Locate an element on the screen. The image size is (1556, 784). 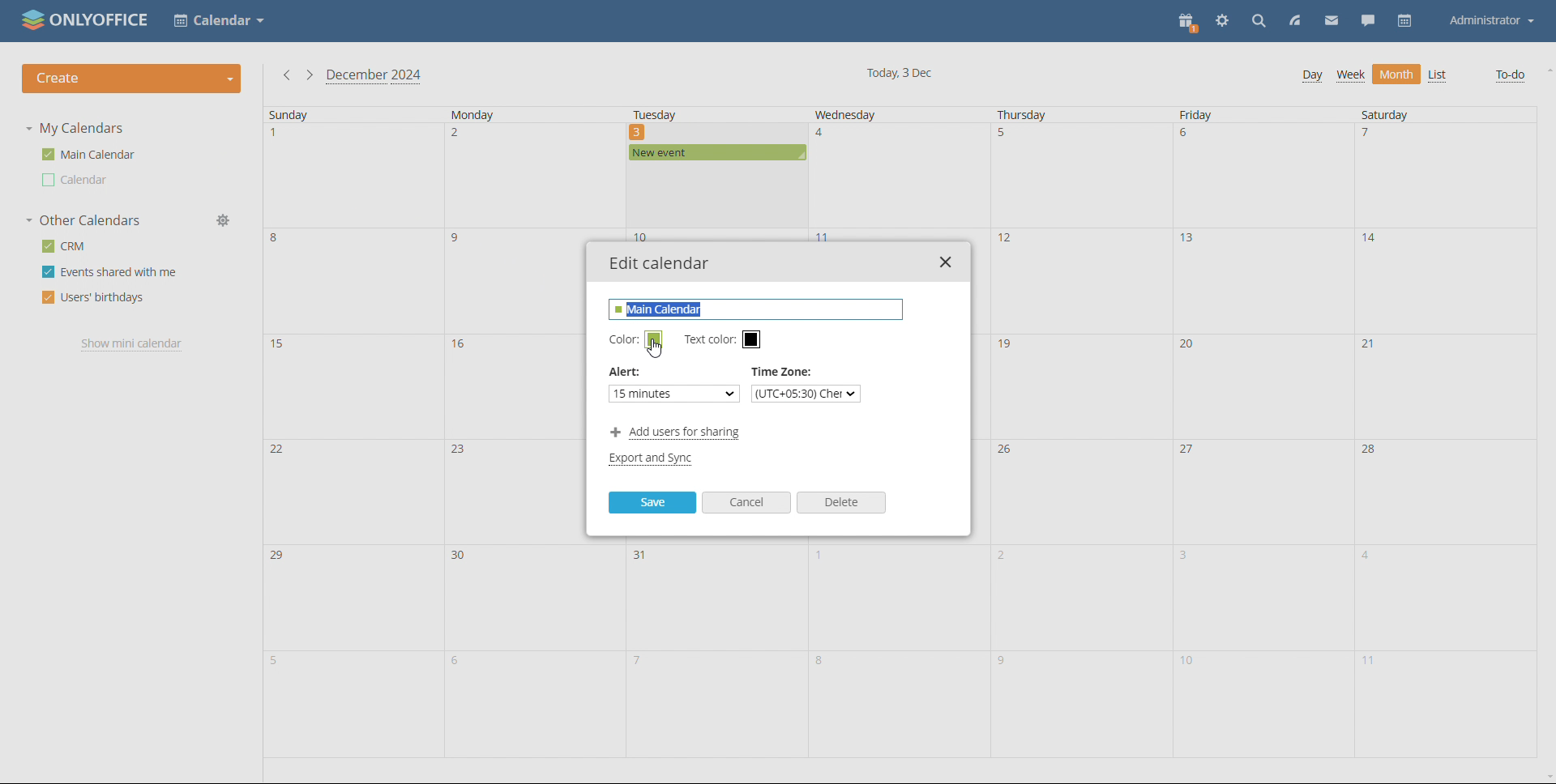
crm is located at coordinates (62, 246).